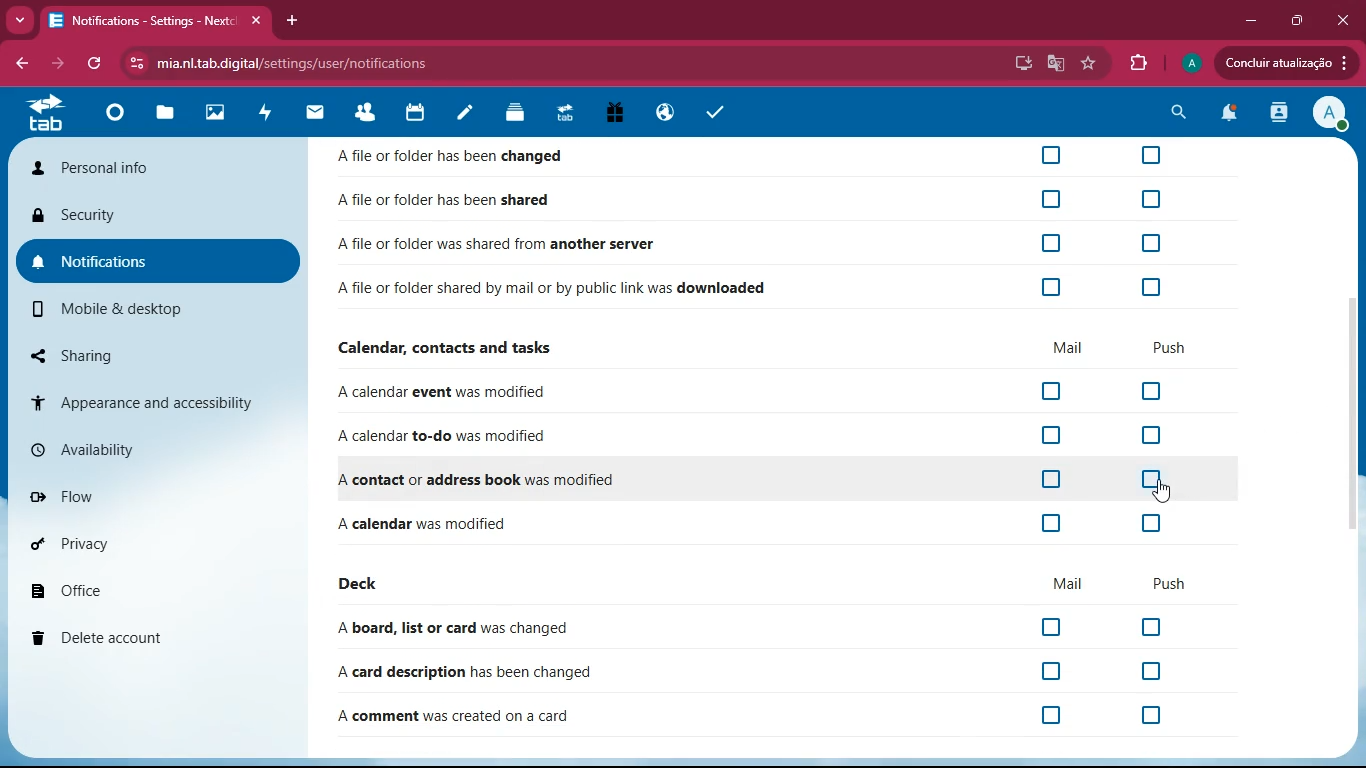 This screenshot has height=768, width=1366. I want to click on minimize, so click(1246, 21).